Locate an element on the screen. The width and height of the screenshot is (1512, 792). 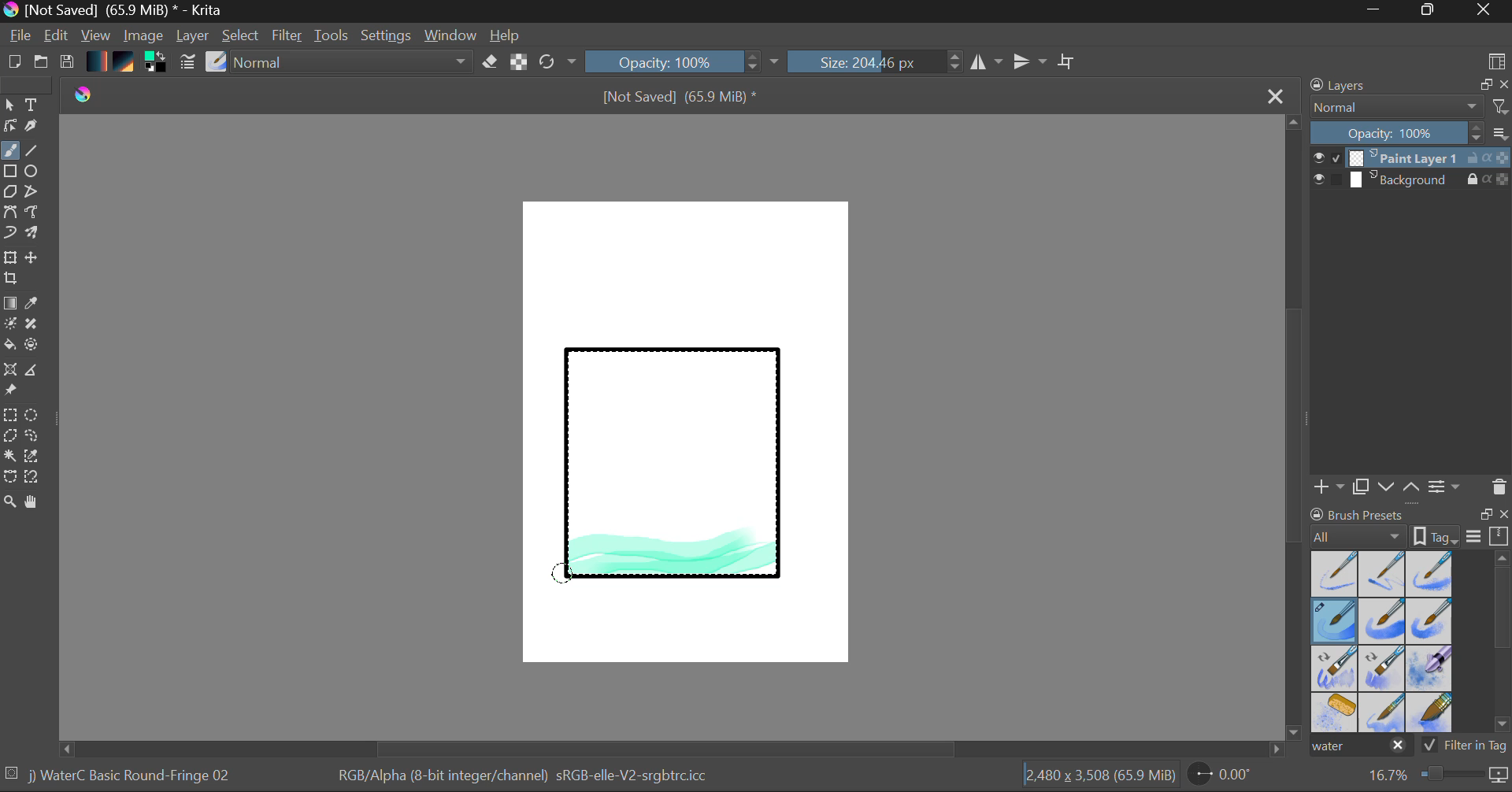
Water C - Grain Tilt is located at coordinates (1336, 668).